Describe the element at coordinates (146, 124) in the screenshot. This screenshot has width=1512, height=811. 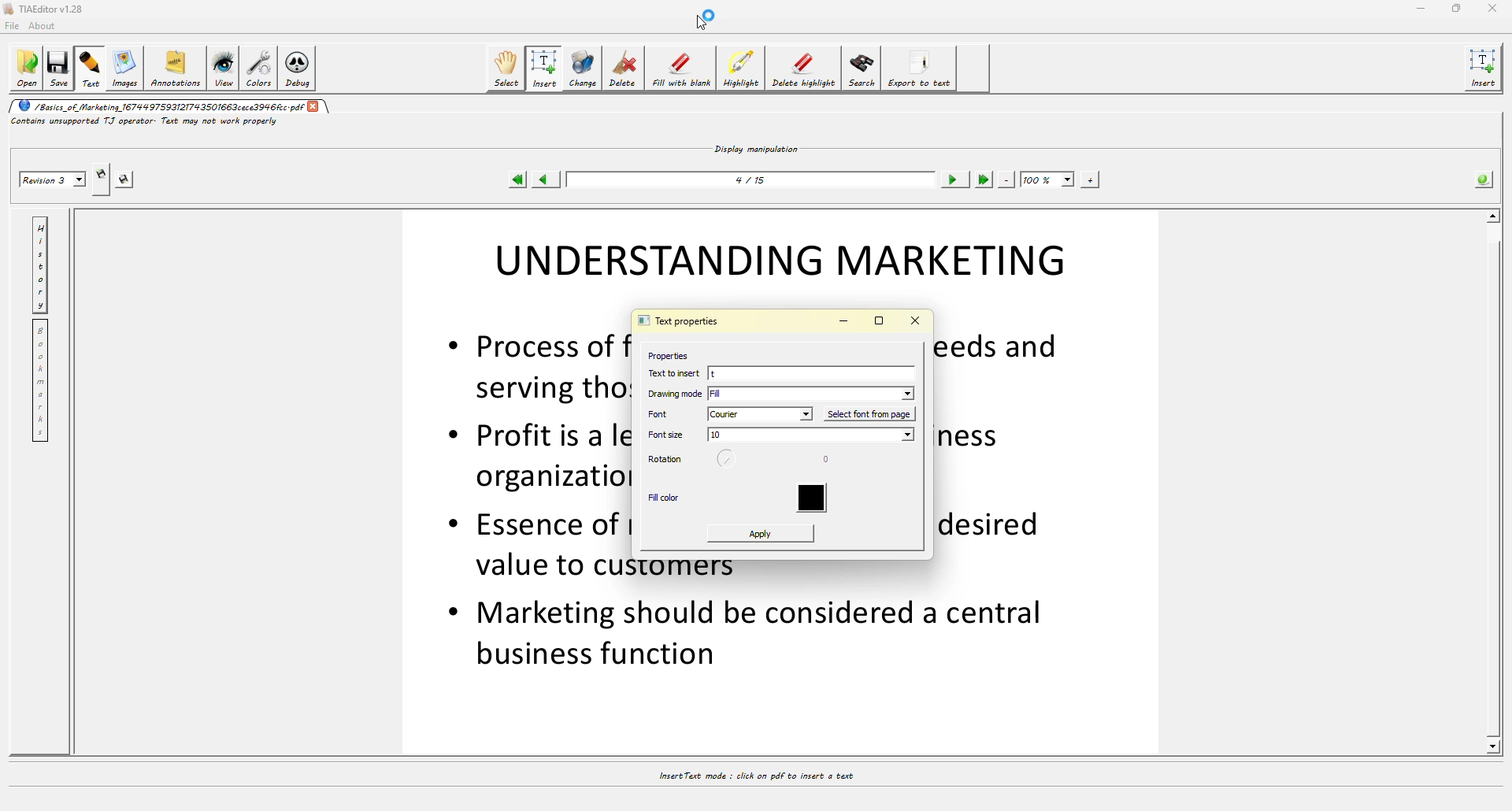
I see `contains unsupported TJ operator text may not work properly` at that location.